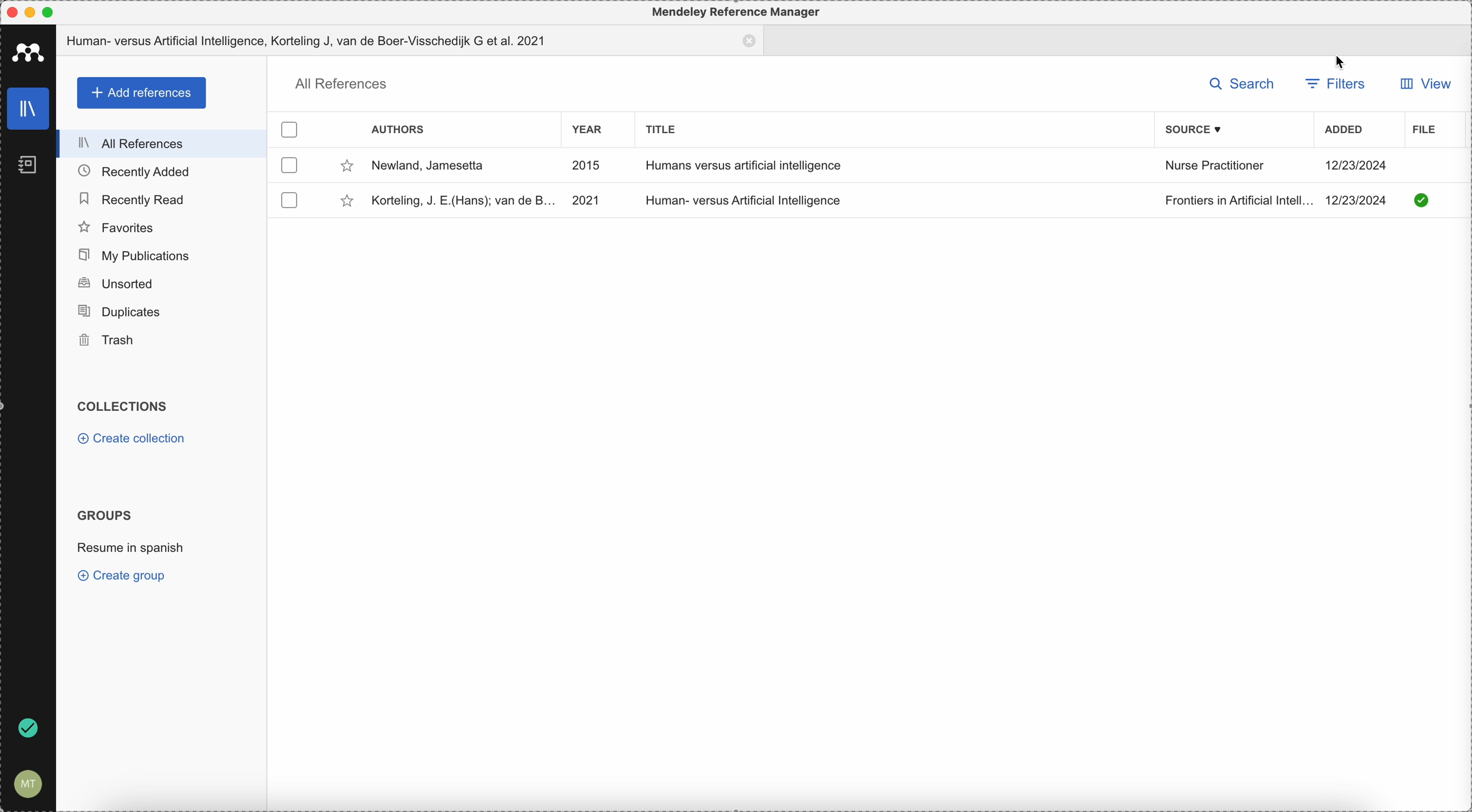 This screenshot has height=812, width=1472. Describe the element at coordinates (1197, 130) in the screenshot. I see `source` at that location.